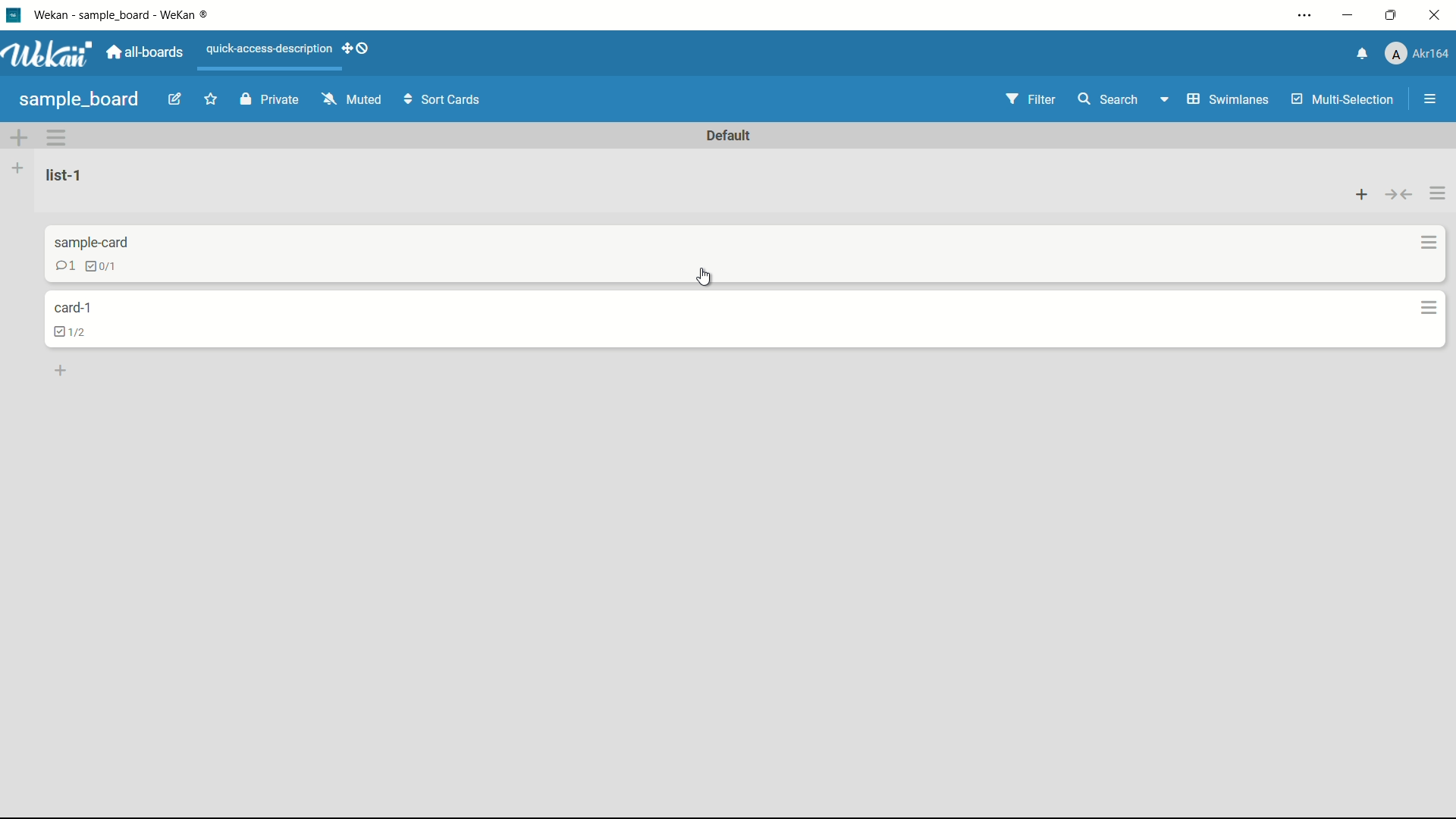 This screenshot has height=819, width=1456. What do you see at coordinates (210, 99) in the screenshot?
I see `star` at bounding box center [210, 99].